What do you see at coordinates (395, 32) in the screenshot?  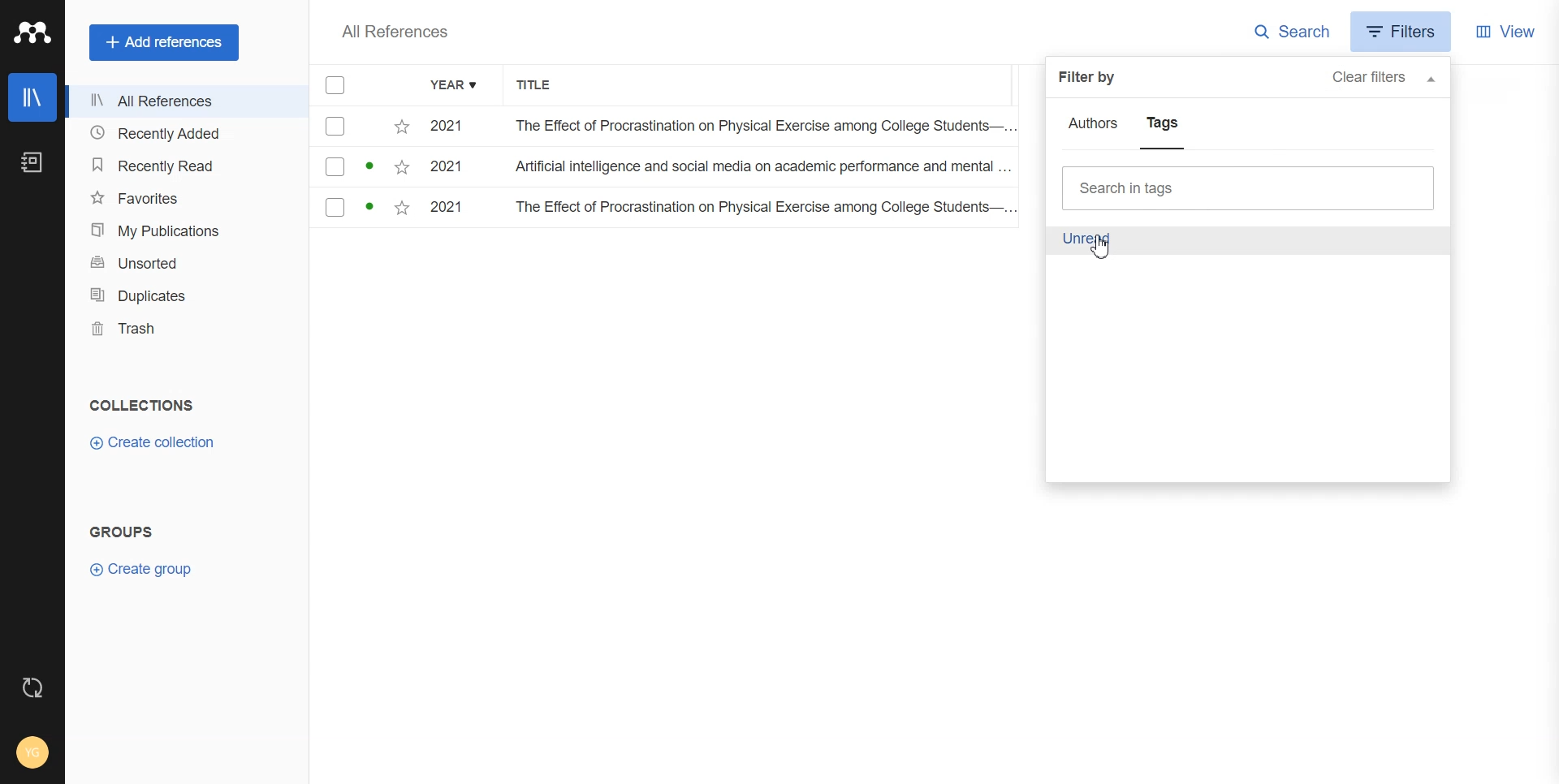 I see `All References` at bounding box center [395, 32].